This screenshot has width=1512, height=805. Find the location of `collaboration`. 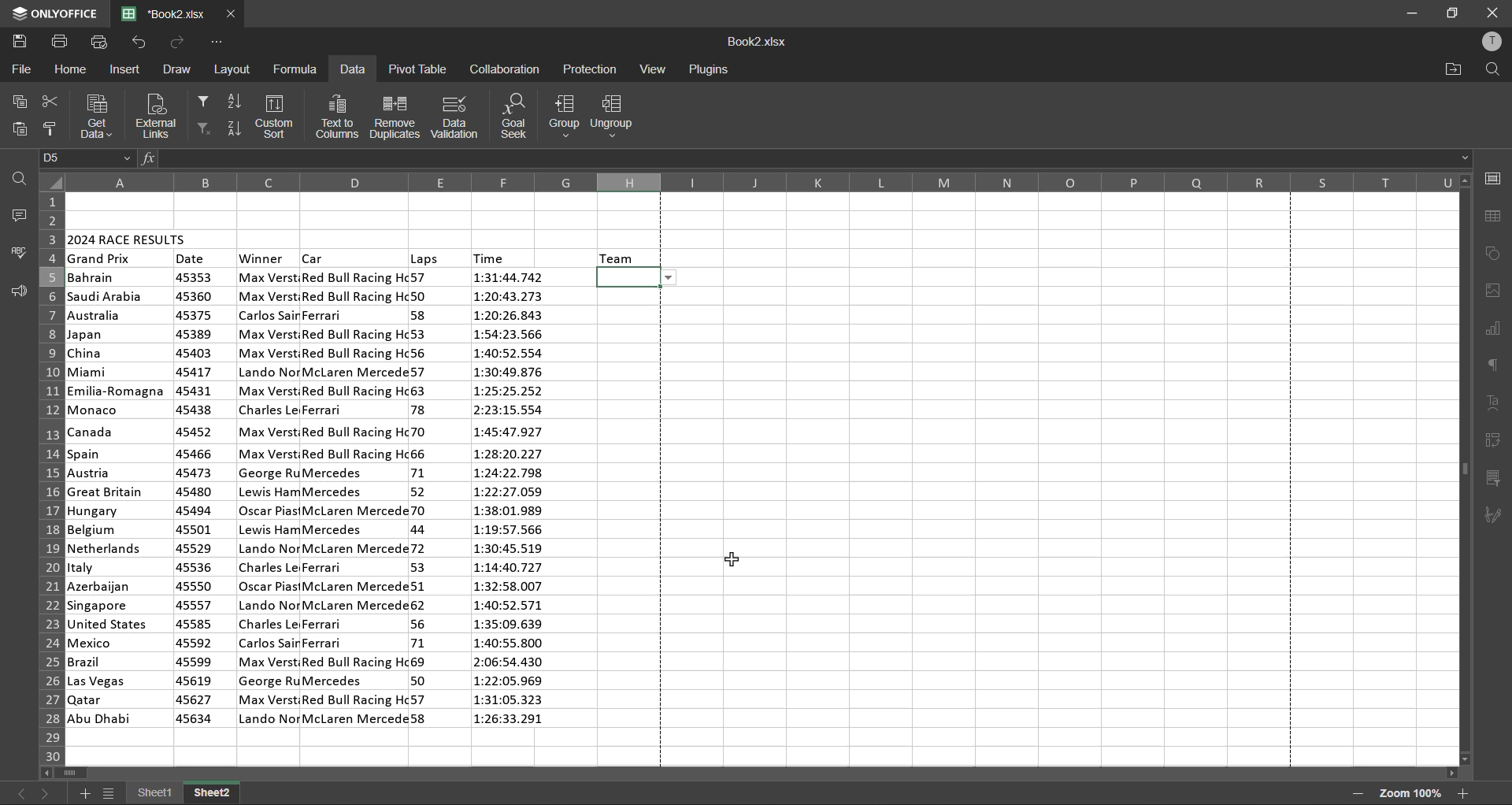

collaboration is located at coordinates (504, 69).